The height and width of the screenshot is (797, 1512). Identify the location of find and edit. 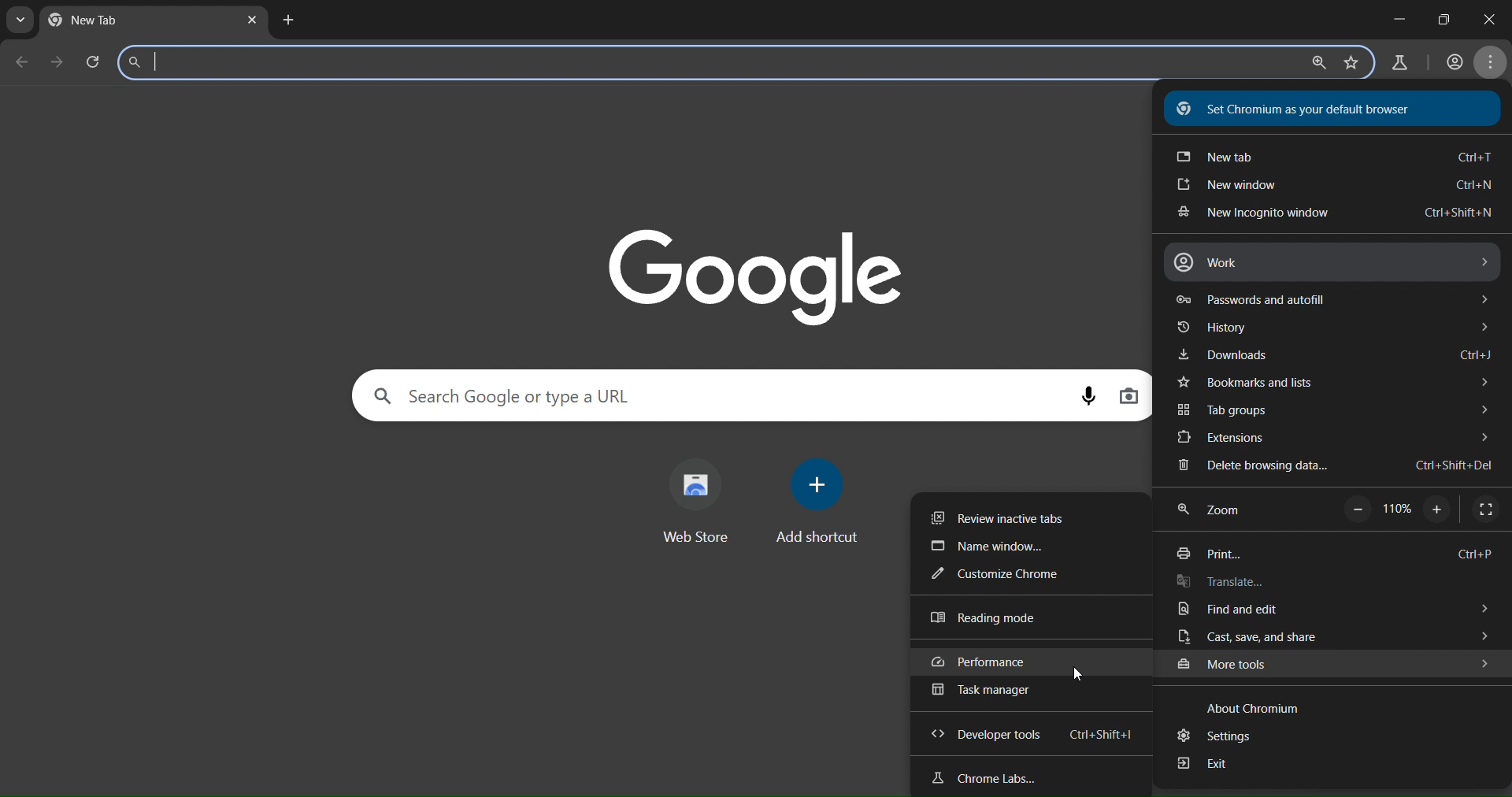
(1329, 610).